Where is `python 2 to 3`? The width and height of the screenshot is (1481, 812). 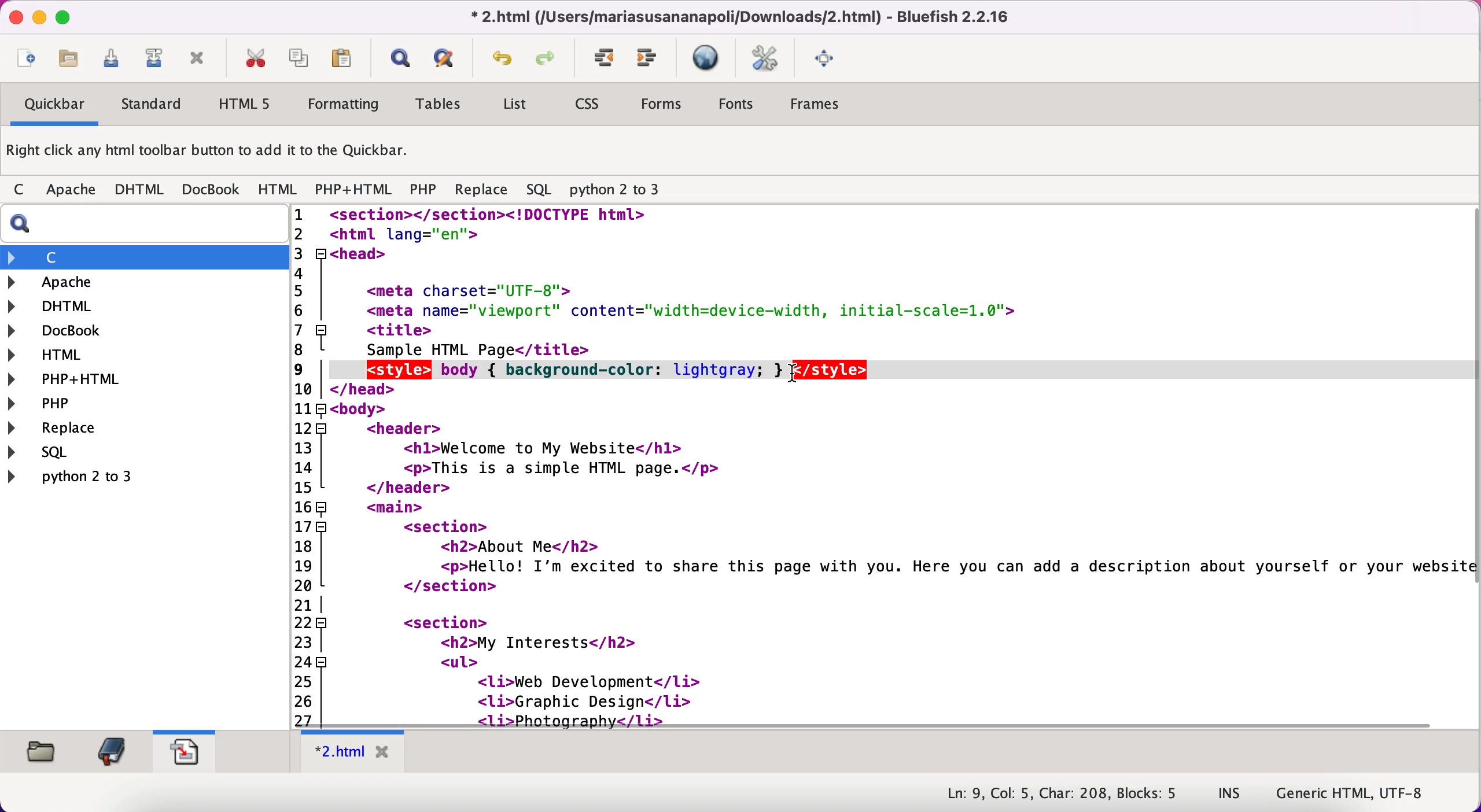 python 2 to 3 is located at coordinates (625, 190).